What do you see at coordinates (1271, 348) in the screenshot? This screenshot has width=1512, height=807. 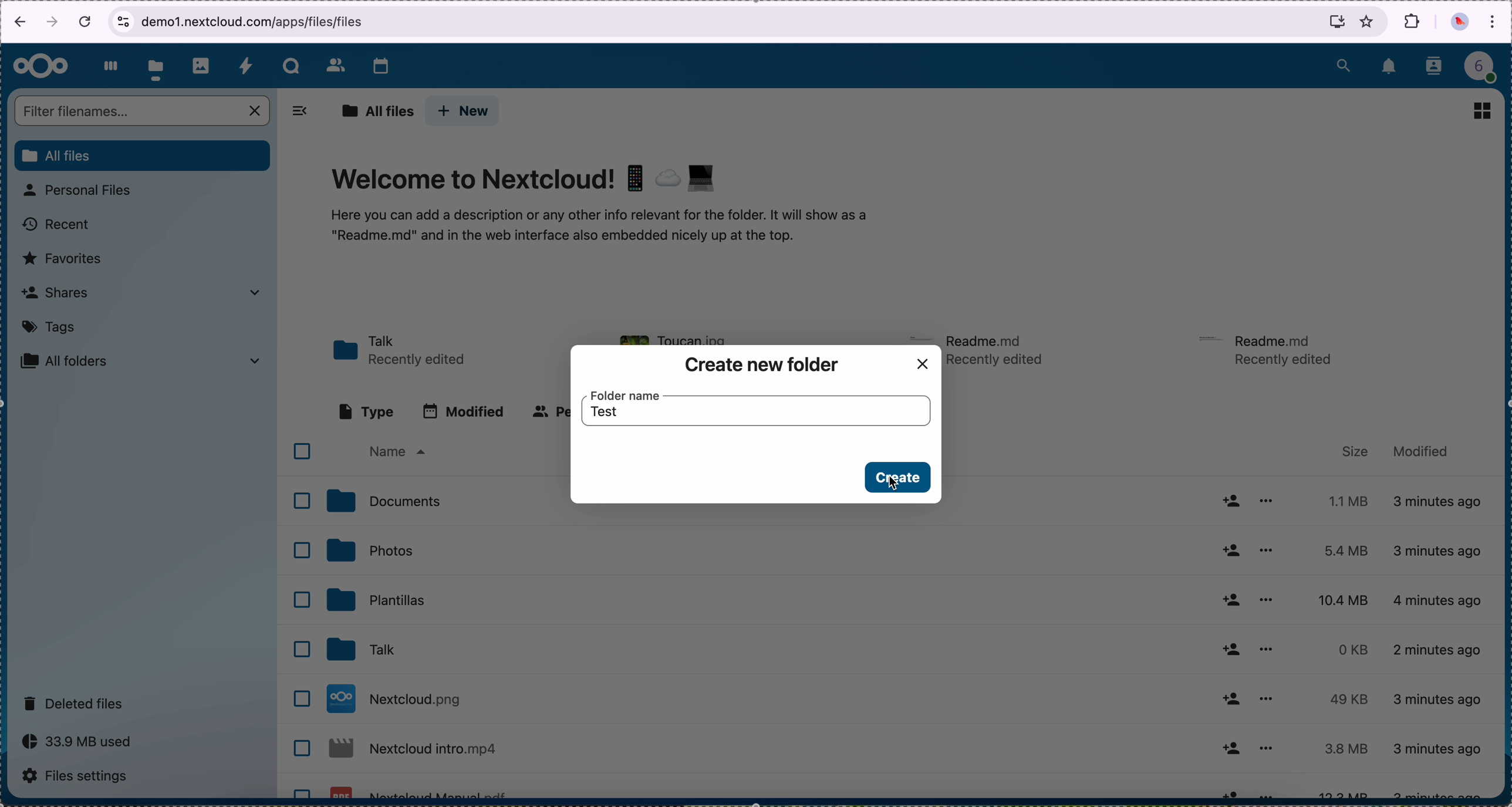 I see `readme file` at bounding box center [1271, 348].